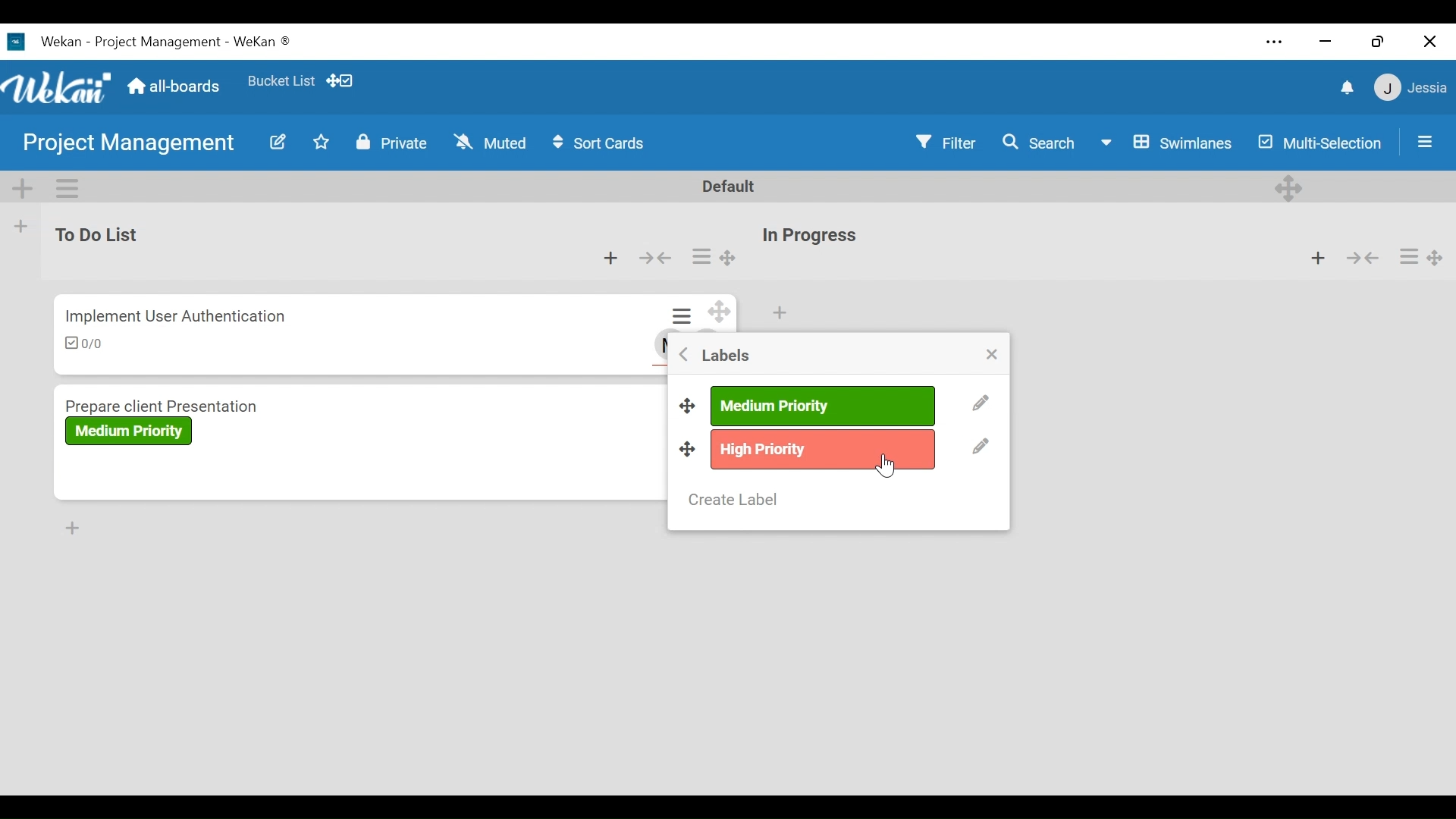  What do you see at coordinates (779, 313) in the screenshot?
I see `Add Card to top of the list` at bounding box center [779, 313].